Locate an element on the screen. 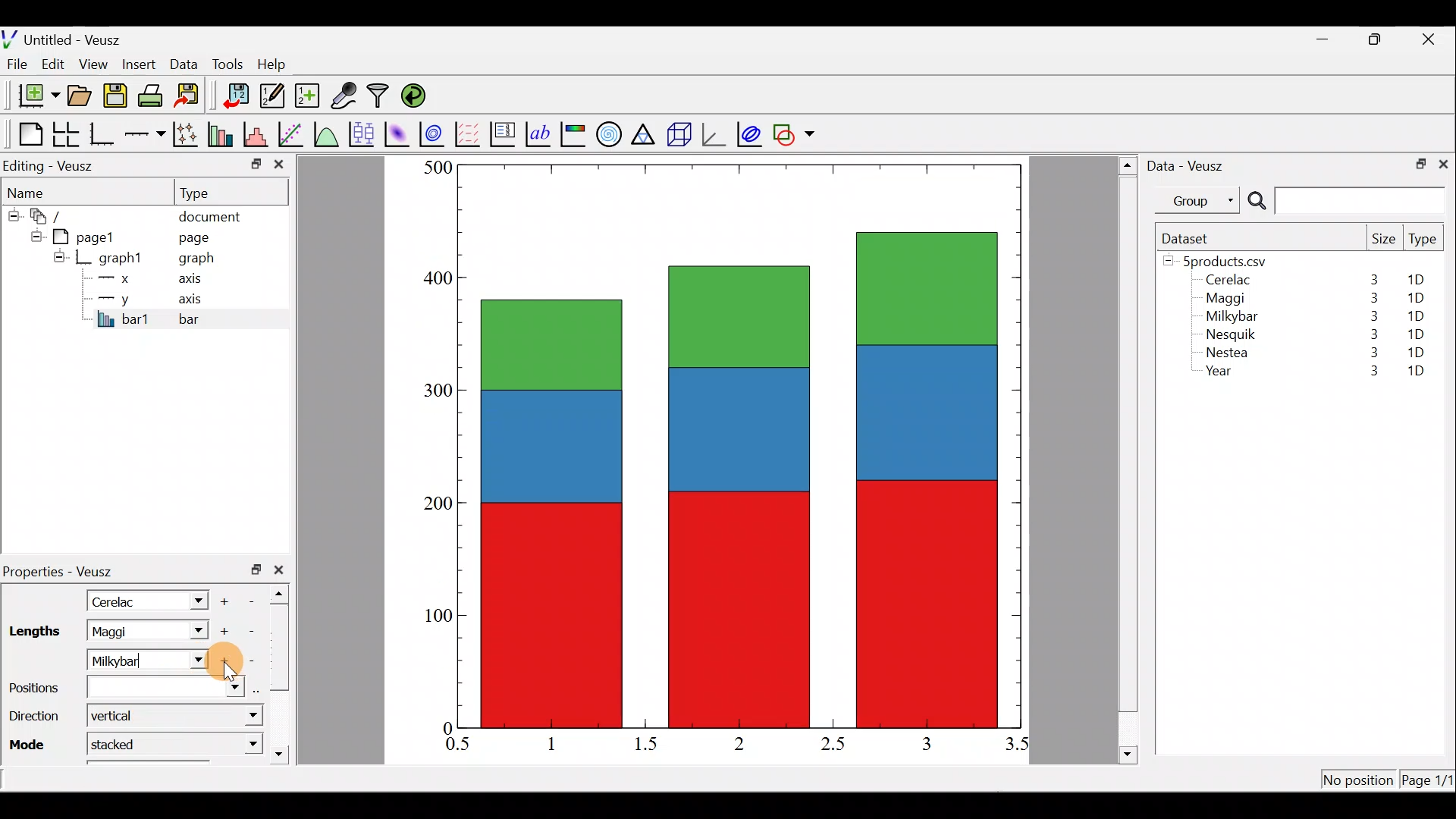 This screenshot has height=819, width=1456. Help is located at coordinates (281, 64).